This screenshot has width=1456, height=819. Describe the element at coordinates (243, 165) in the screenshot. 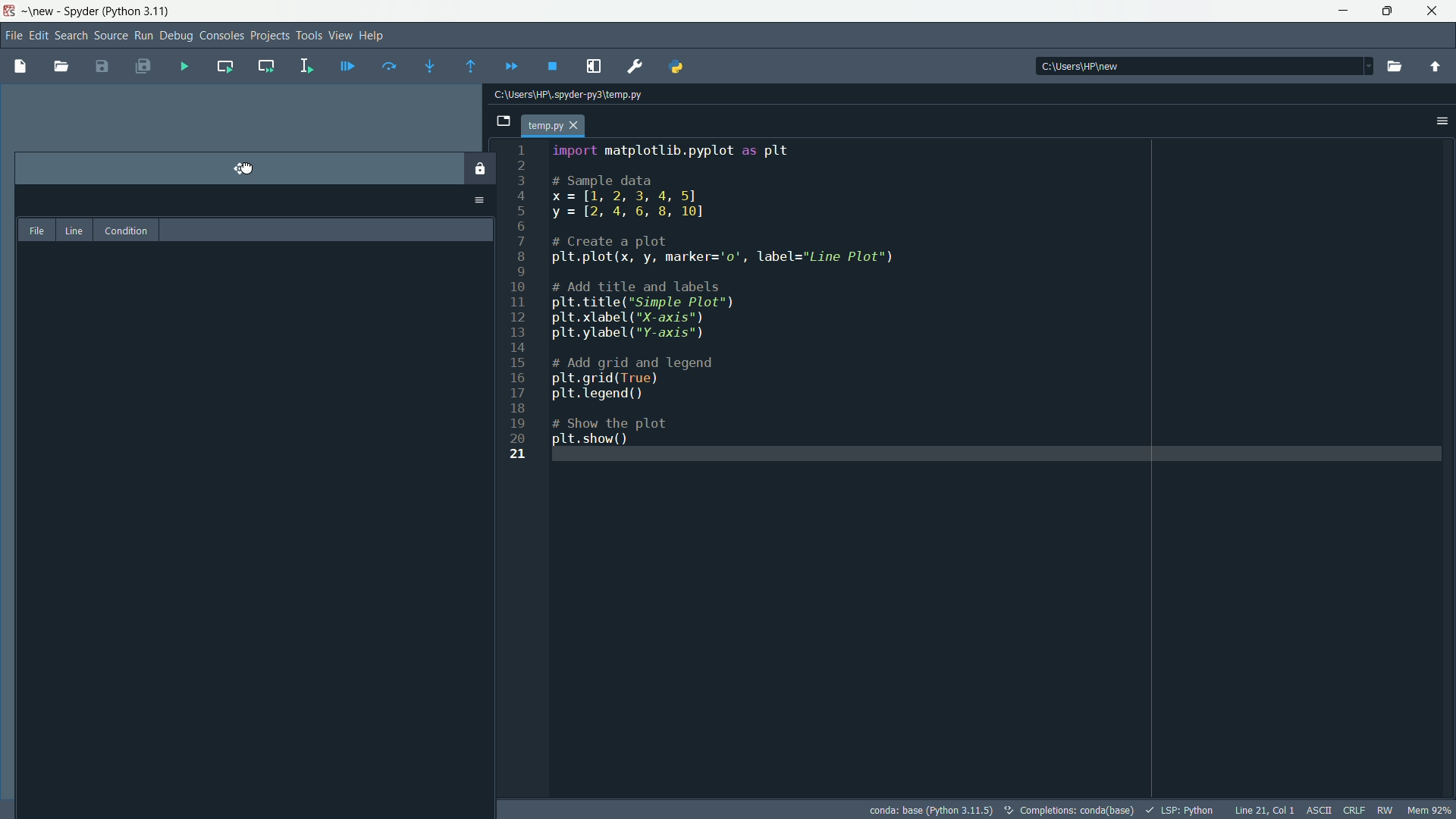

I see `cursor` at that location.